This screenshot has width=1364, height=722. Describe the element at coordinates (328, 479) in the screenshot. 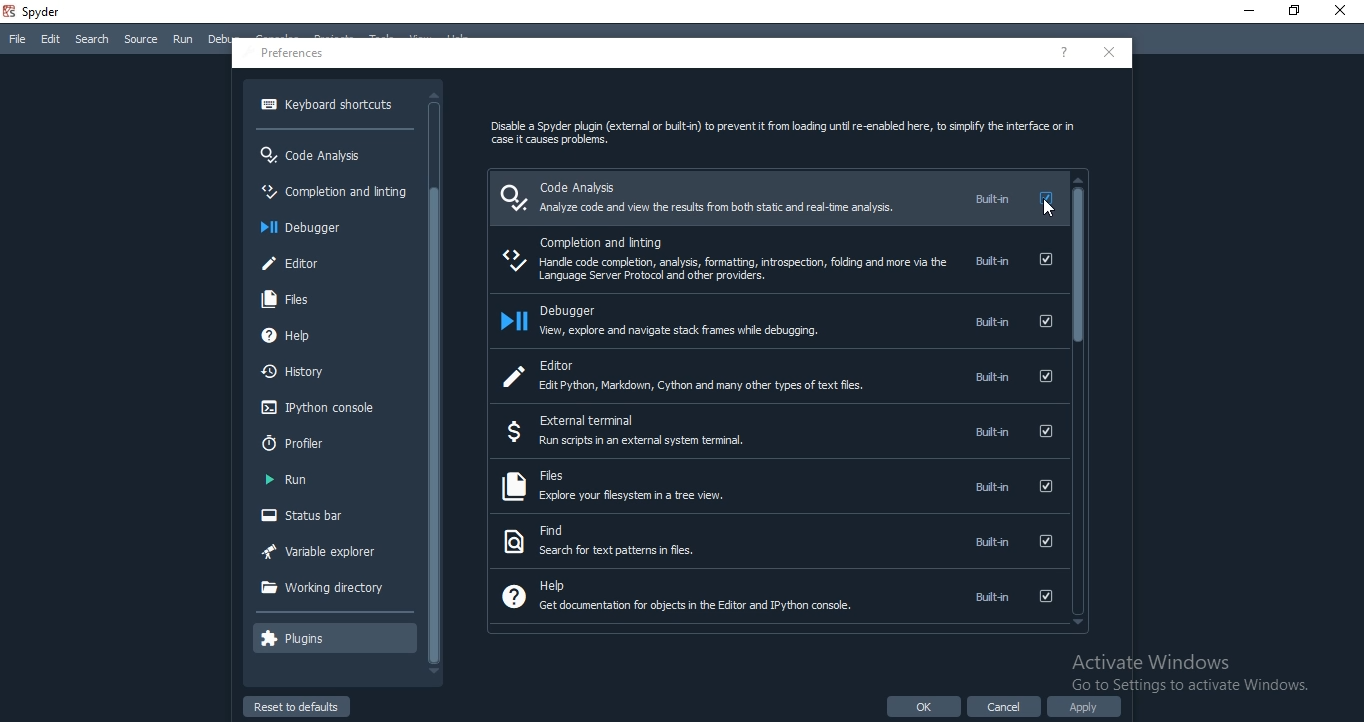

I see `run` at that location.